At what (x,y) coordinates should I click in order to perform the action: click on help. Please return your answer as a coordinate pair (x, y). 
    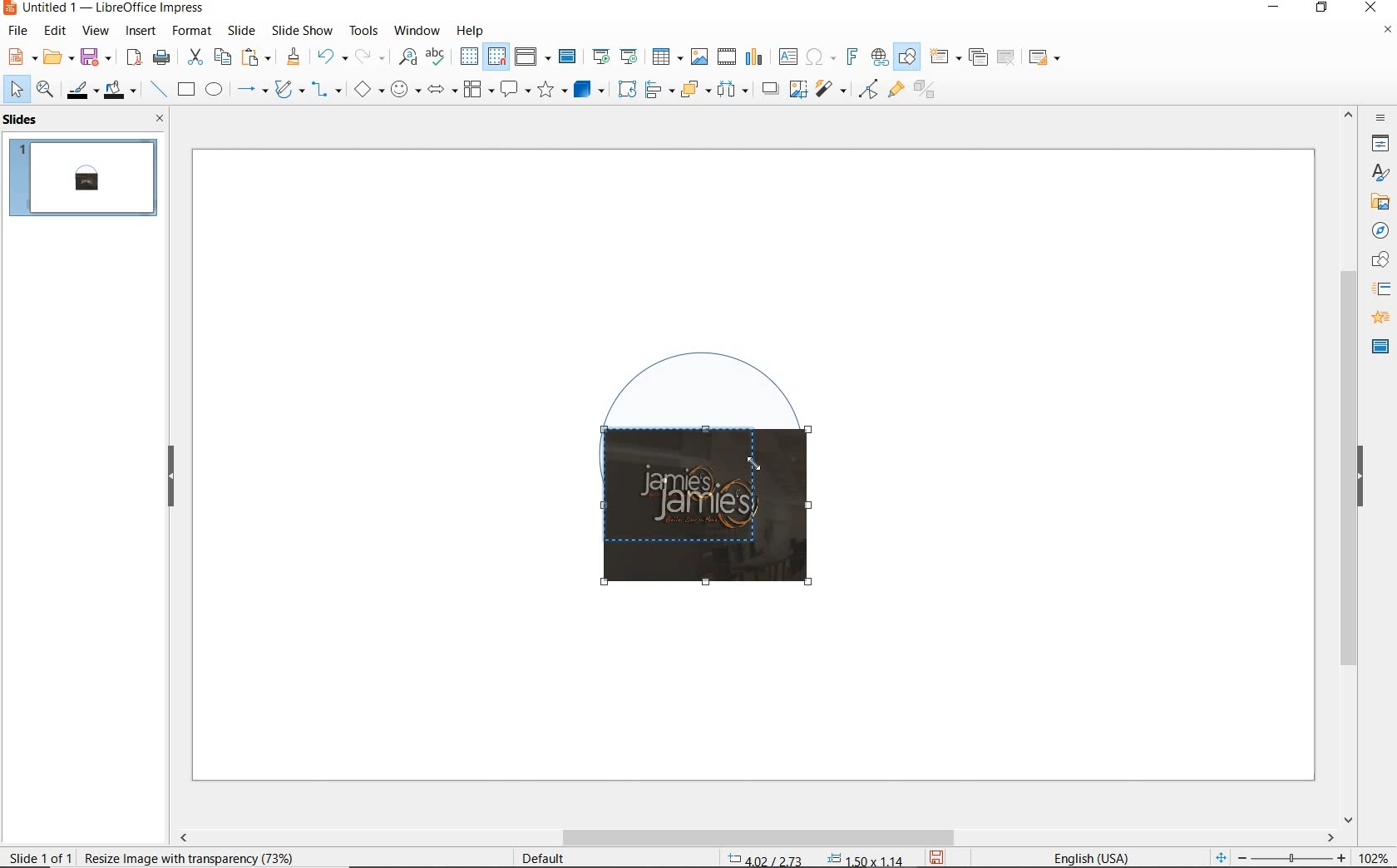
    Looking at the image, I should click on (472, 28).